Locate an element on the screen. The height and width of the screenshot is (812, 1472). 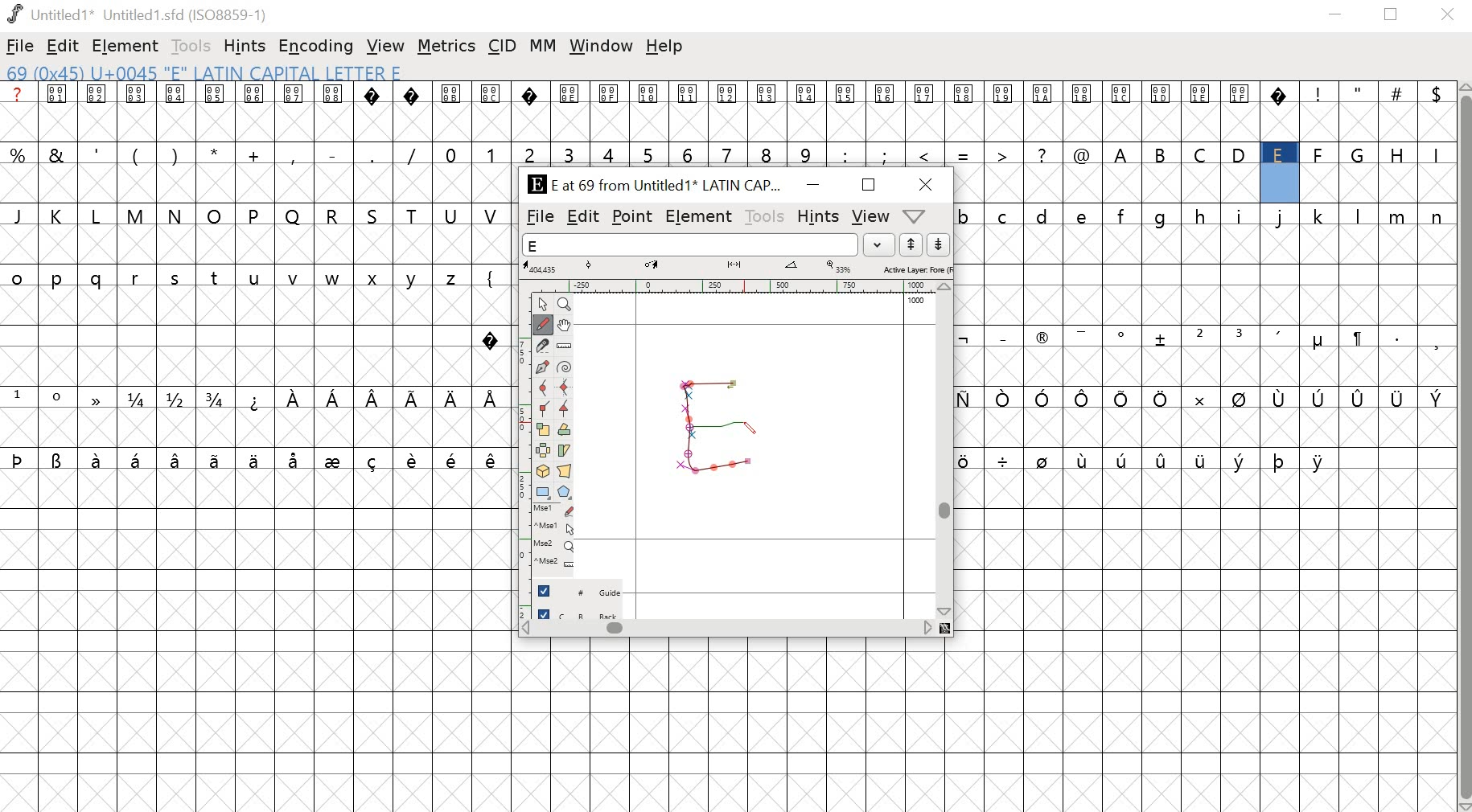
encoding is located at coordinates (316, 47).